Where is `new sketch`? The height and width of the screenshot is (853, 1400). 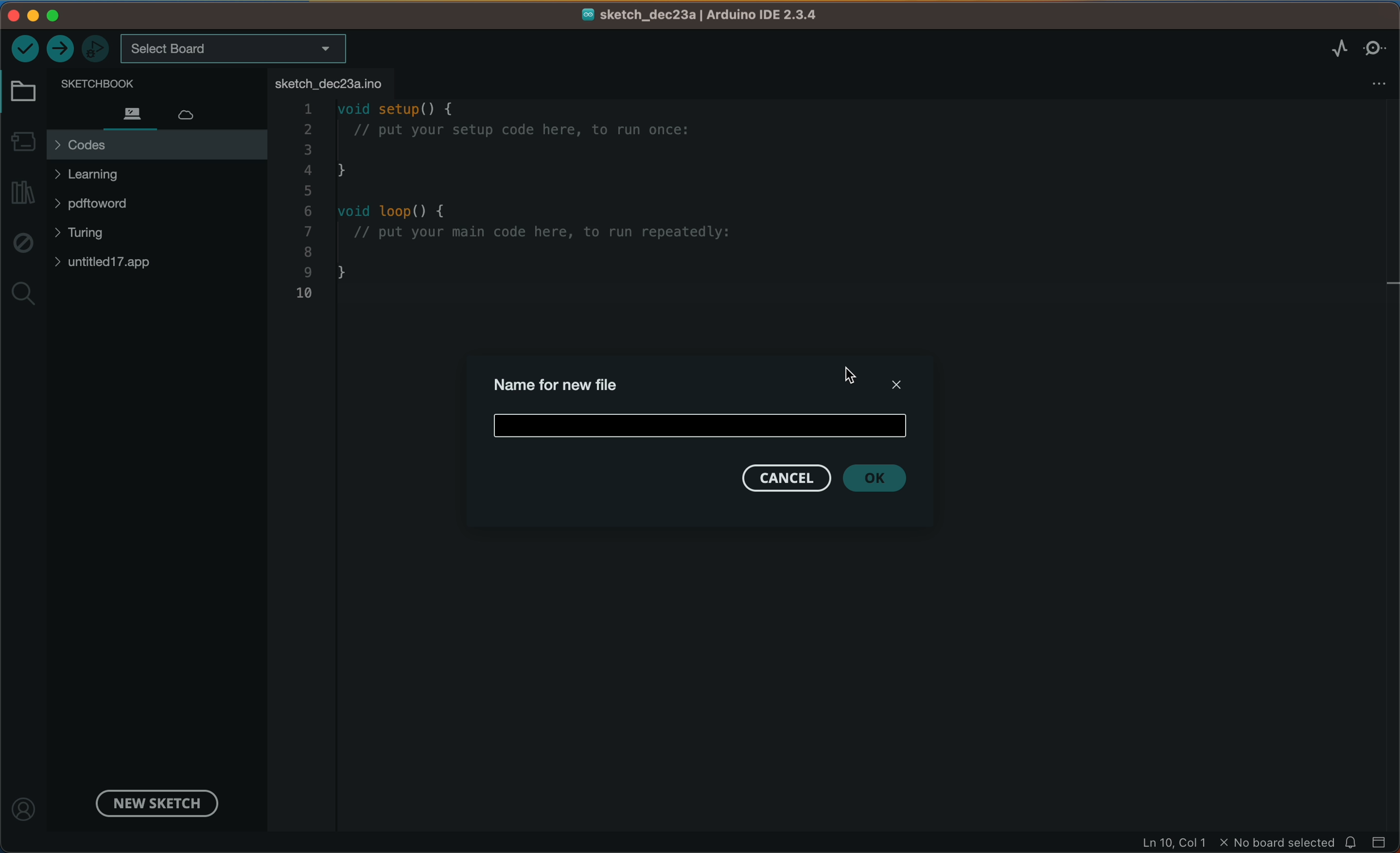 new sketch is located at coordinates (153, 802).